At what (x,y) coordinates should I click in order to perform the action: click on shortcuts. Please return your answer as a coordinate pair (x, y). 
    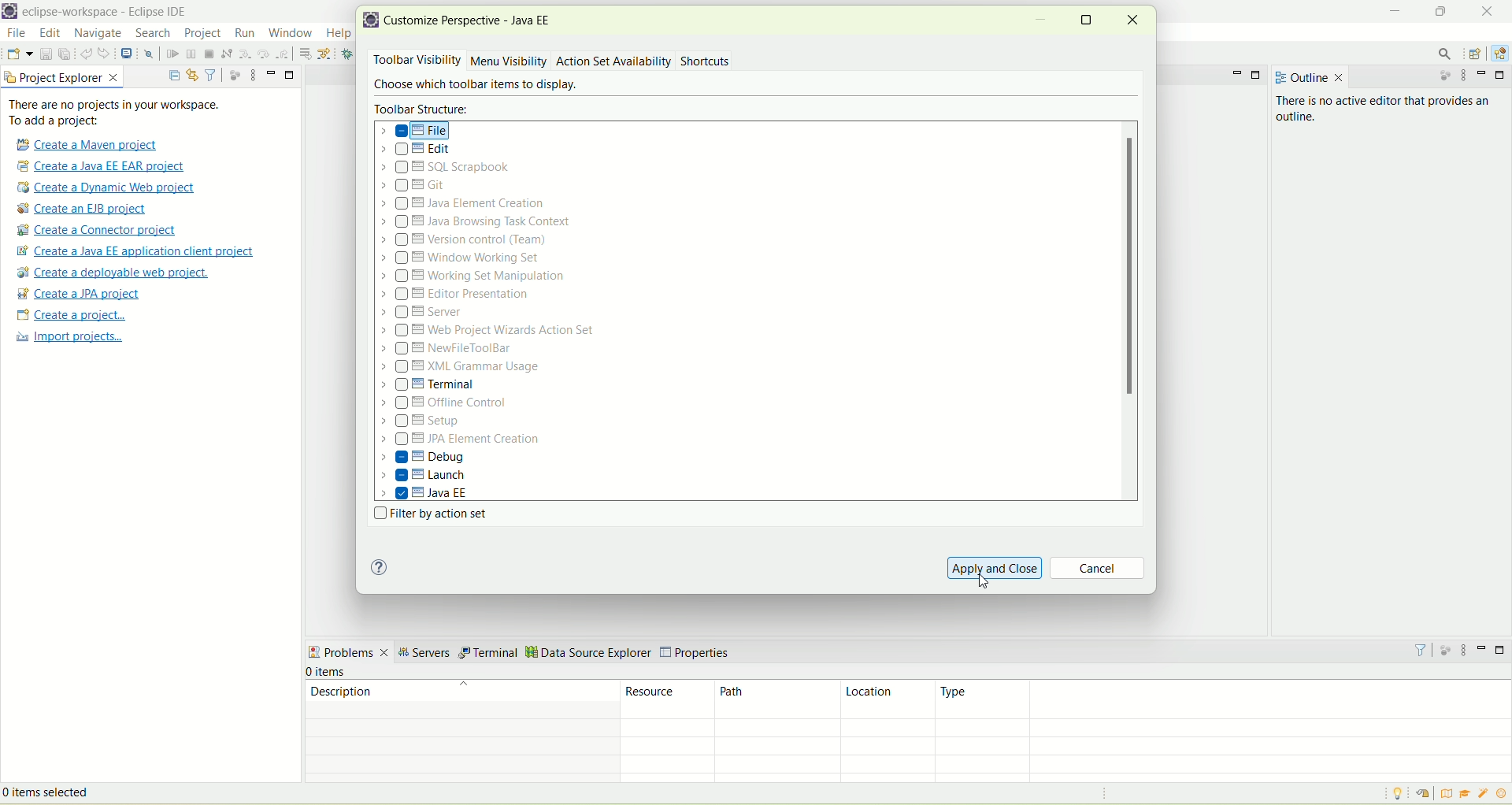
    Looking at the image, I should click on (706, 62).